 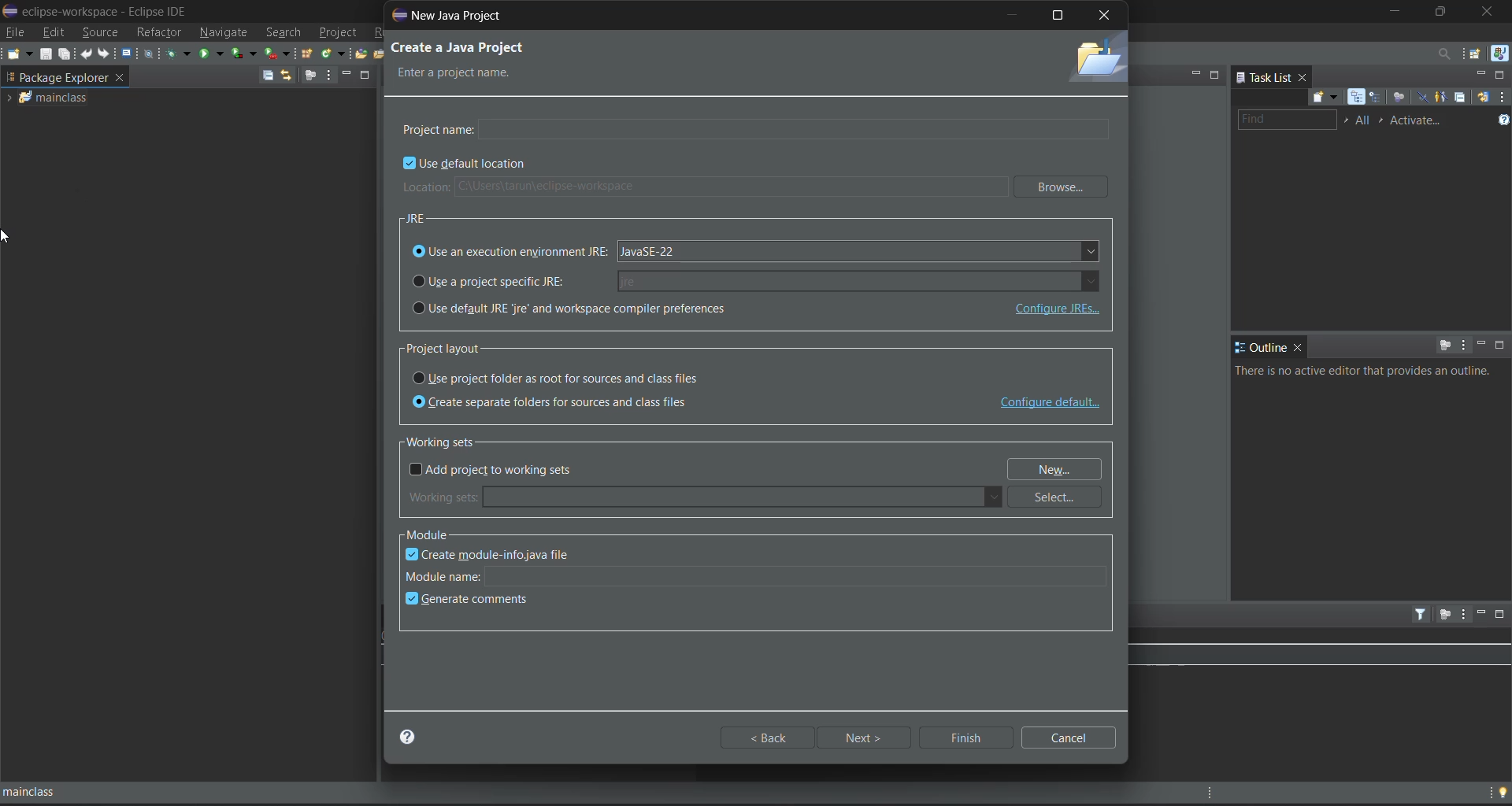 I want to click on edit working task sets, so click(x=1365, y=121).